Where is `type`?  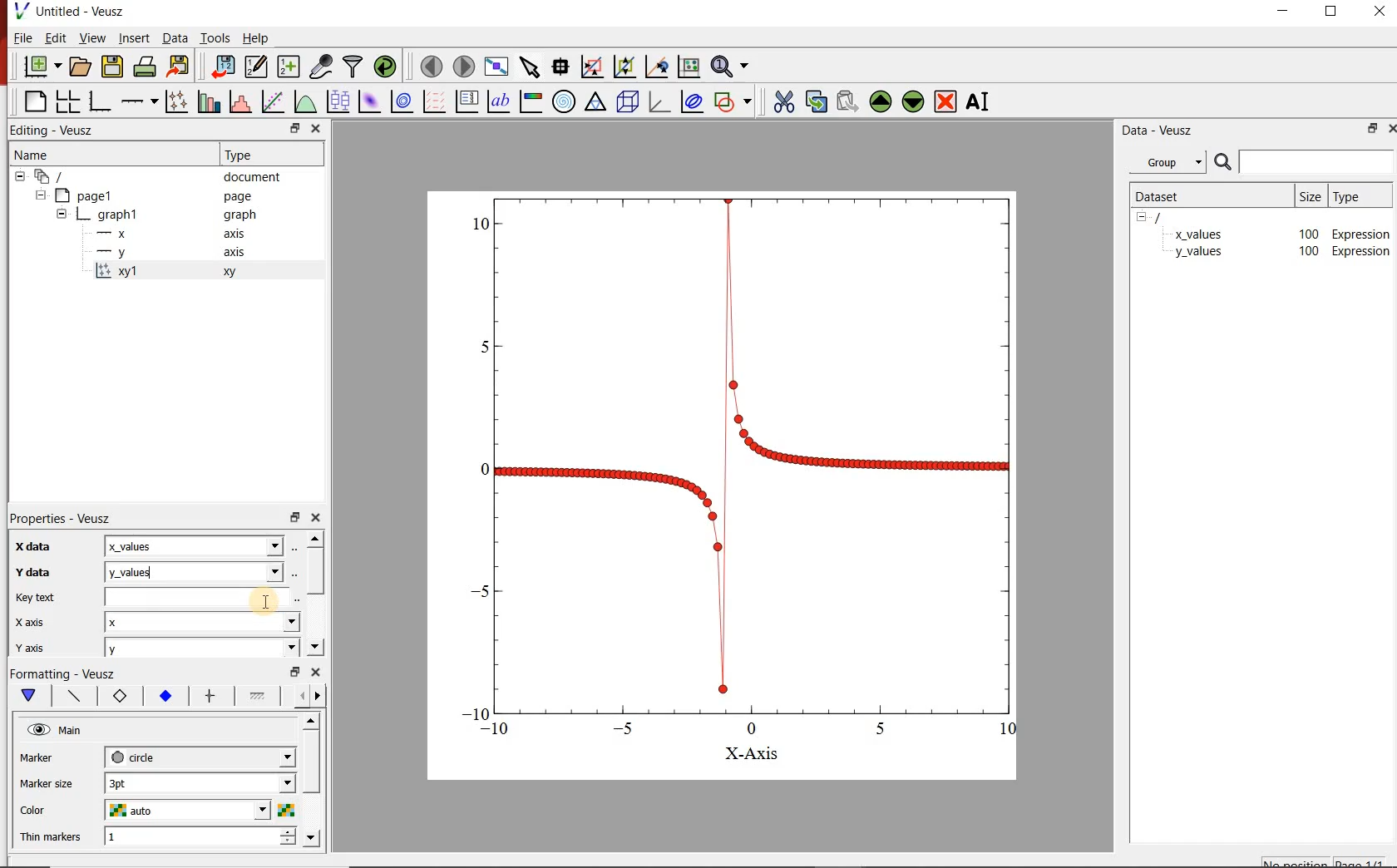 type is located at coordinates (1358, 197).